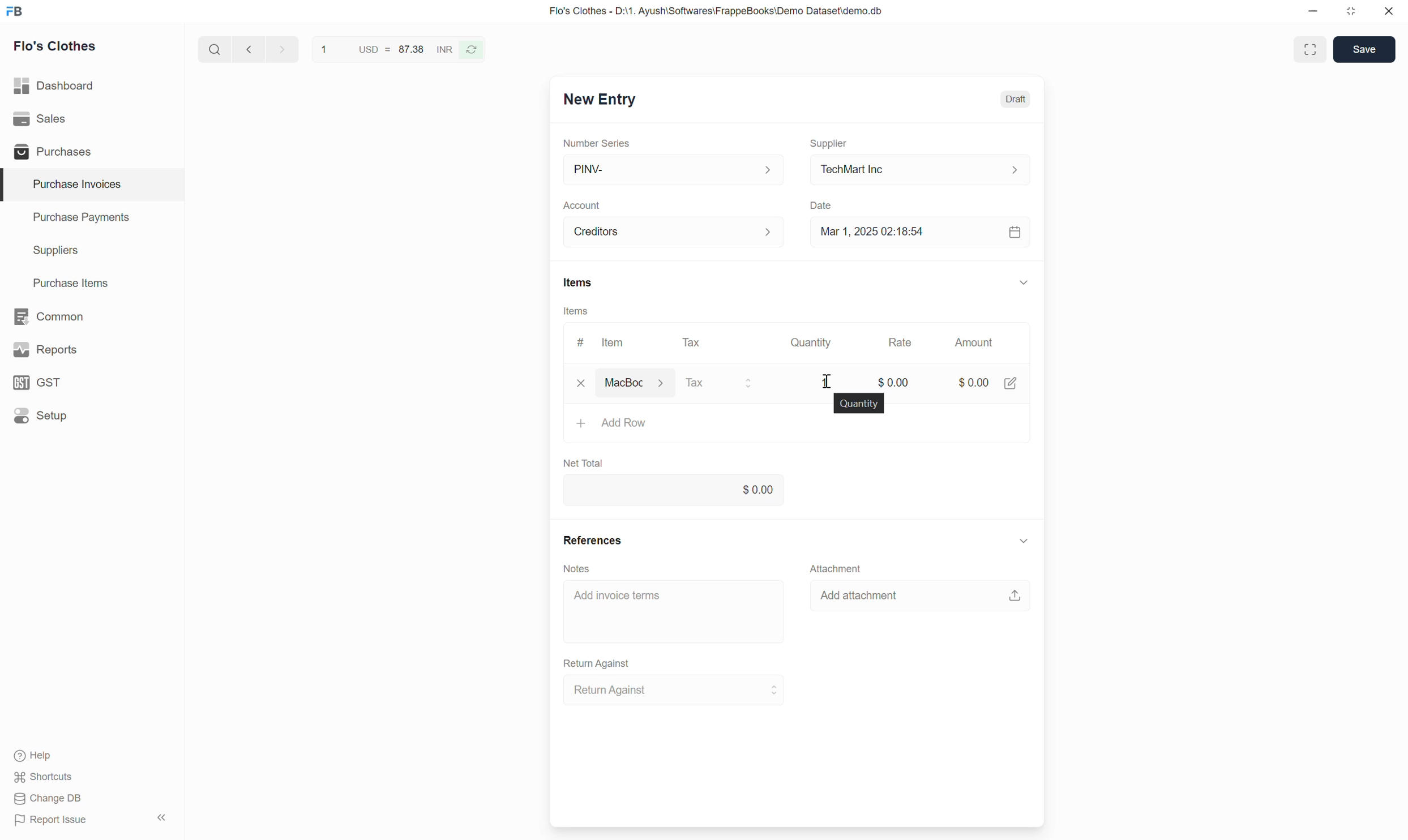 This screenshot has width=1408, height=840. Describe the element at coordinates (978, 342) in the screenshot. I see `Amount` at that location.